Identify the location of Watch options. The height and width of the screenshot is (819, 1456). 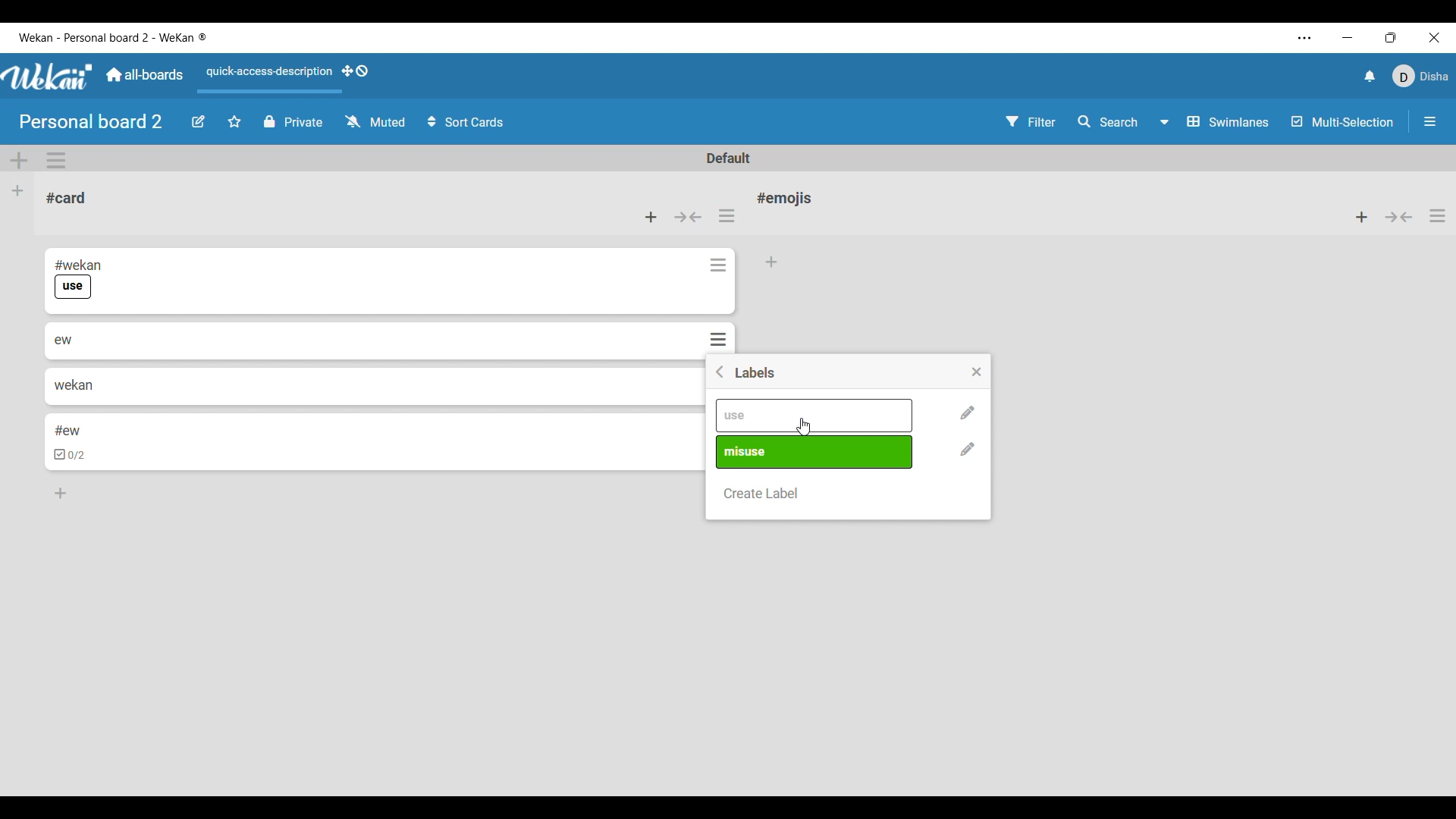
(375, 121).